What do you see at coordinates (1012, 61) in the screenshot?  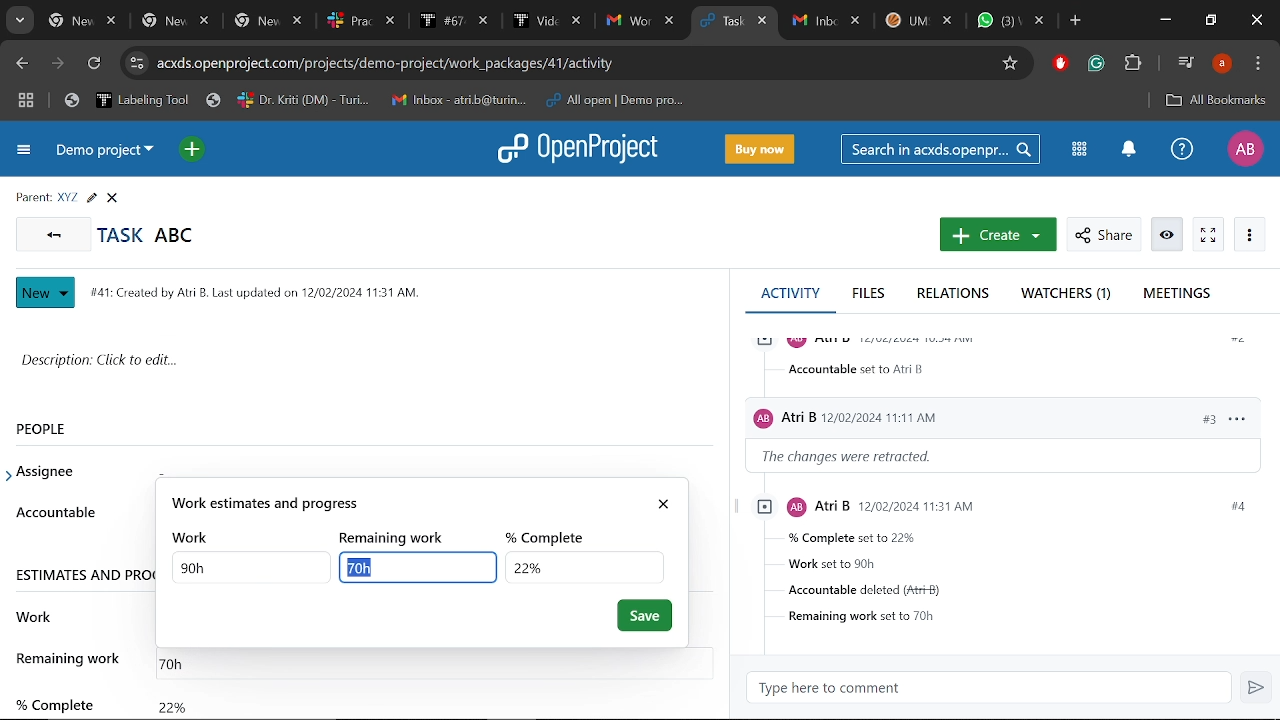 I see `Add/remove bookmark` at bounding box center [1012, 61].